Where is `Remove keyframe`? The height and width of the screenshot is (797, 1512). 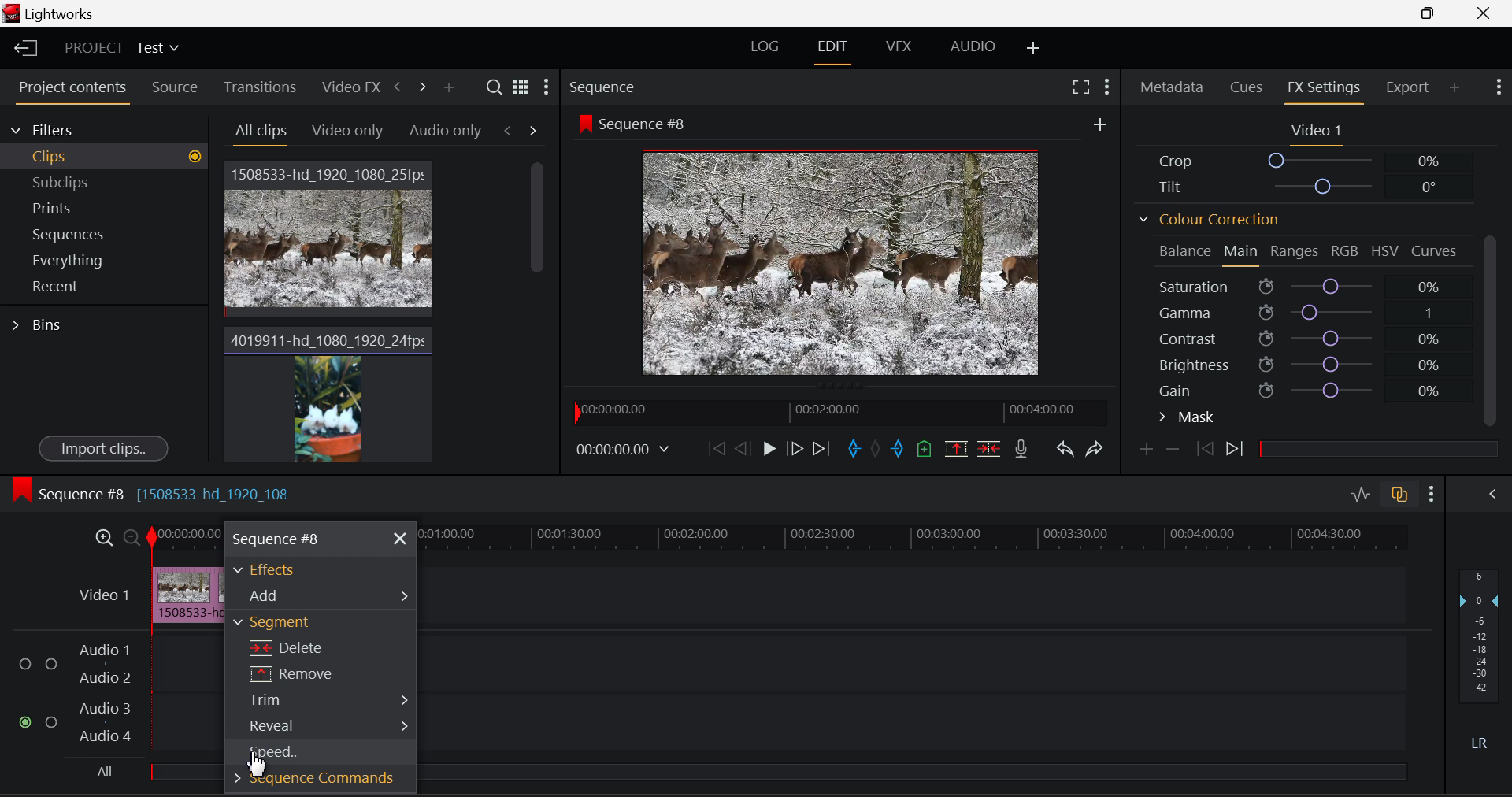 Remove keyframe is located at coordinates (1173, 451).